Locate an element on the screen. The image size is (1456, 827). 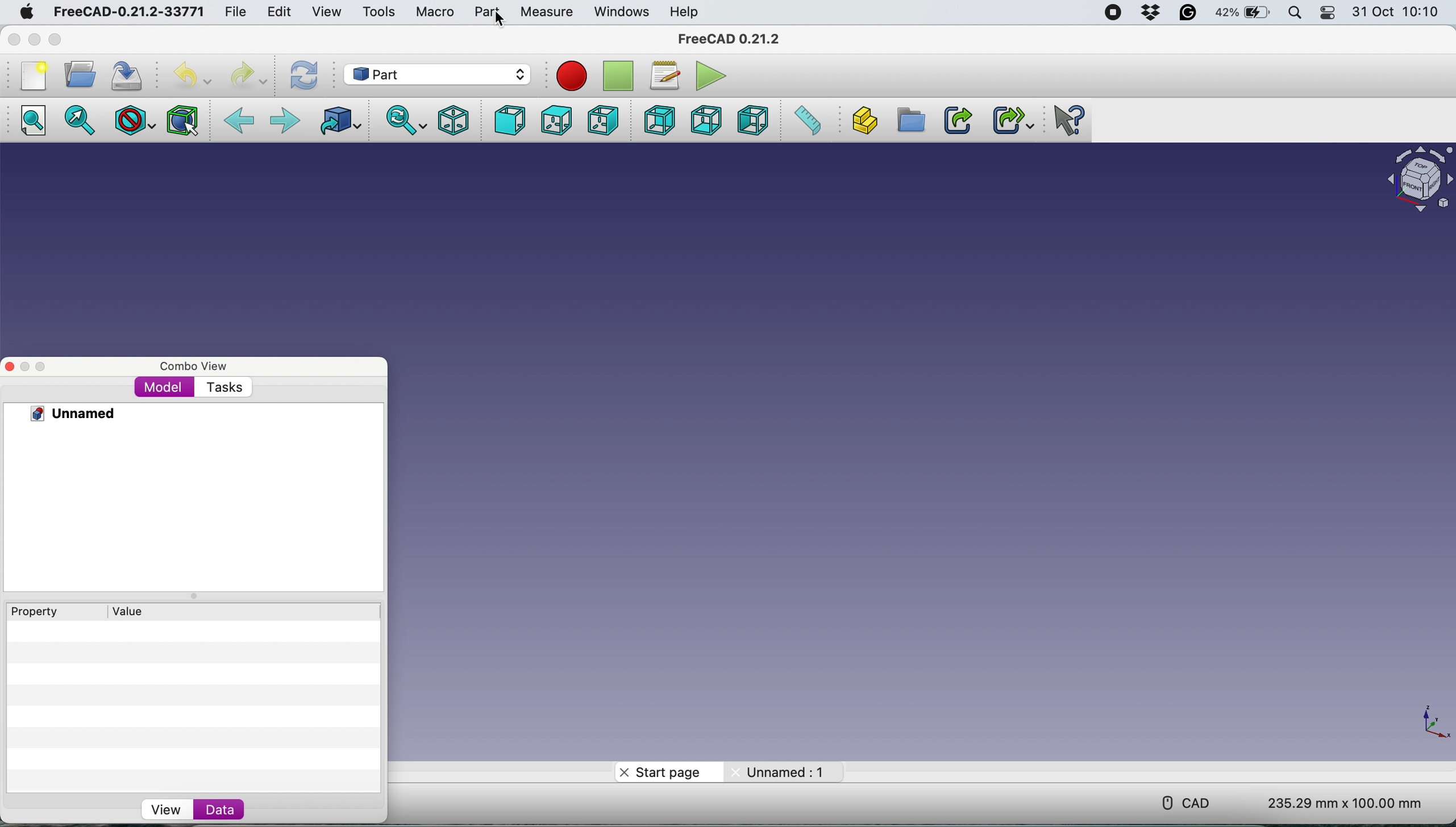
Bounding box is located at coordinates (182, 121).